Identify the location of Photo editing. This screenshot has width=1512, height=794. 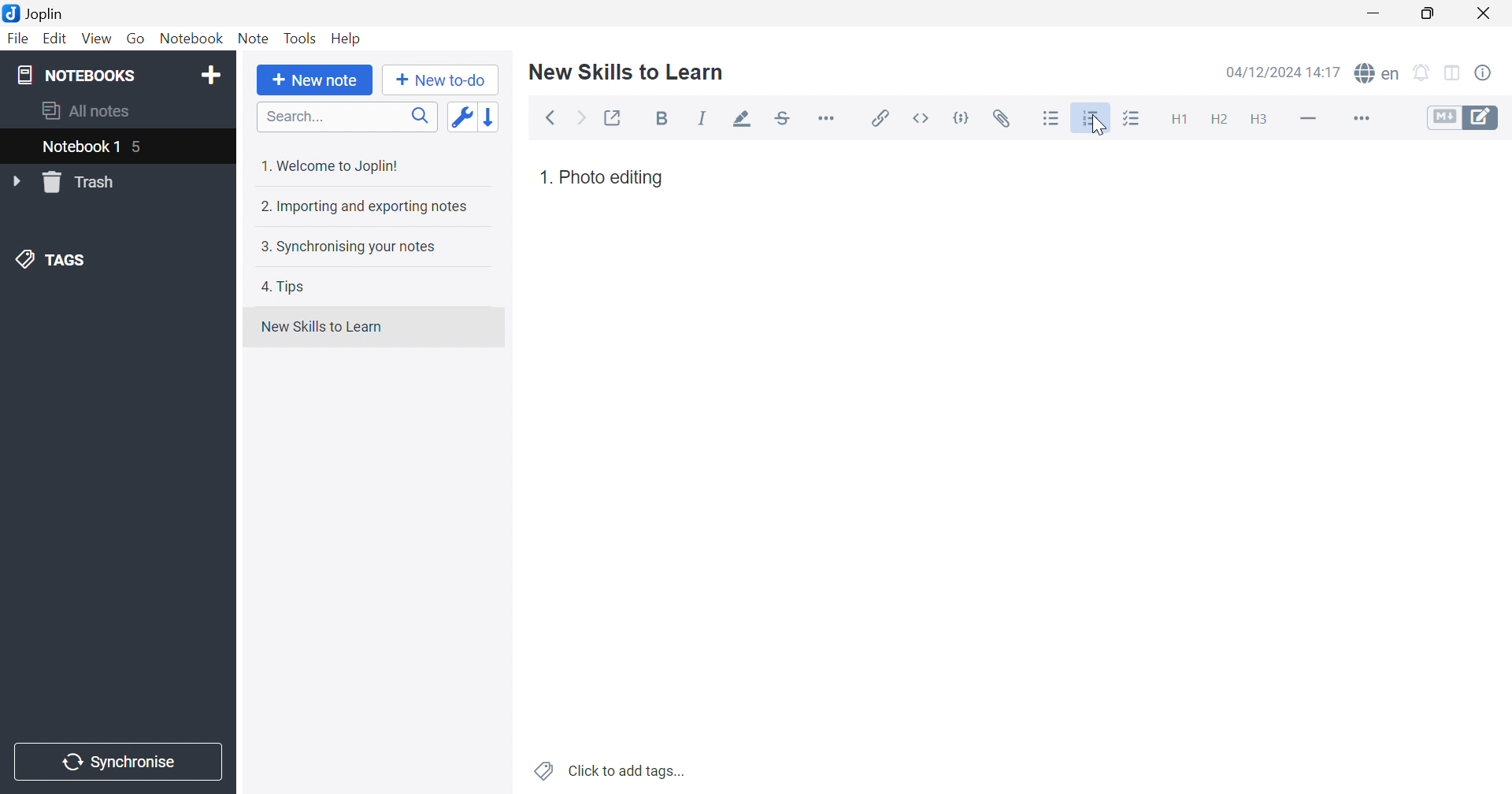
(612, 177).